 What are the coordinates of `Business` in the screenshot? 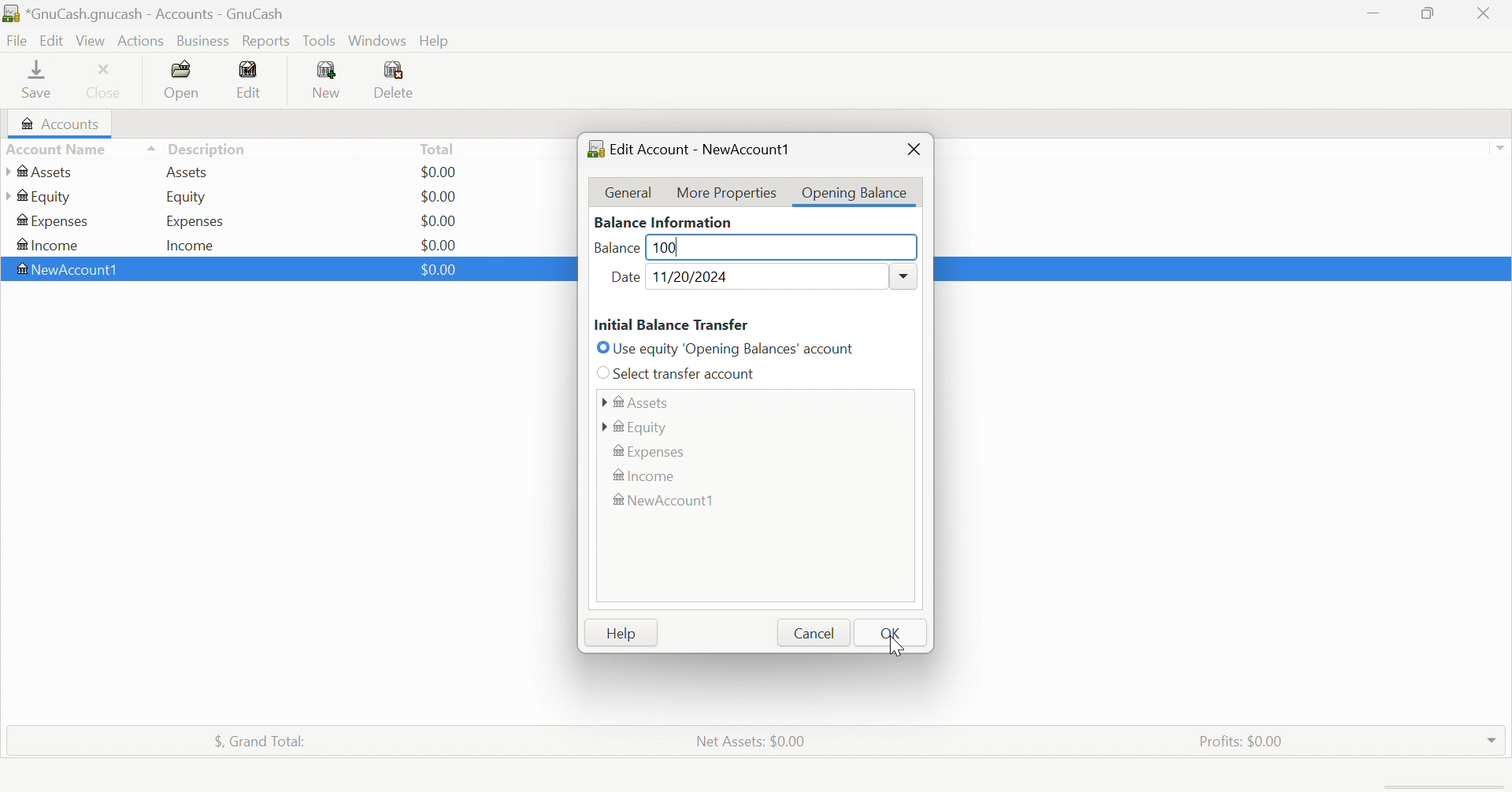 It's located at (203, 39).